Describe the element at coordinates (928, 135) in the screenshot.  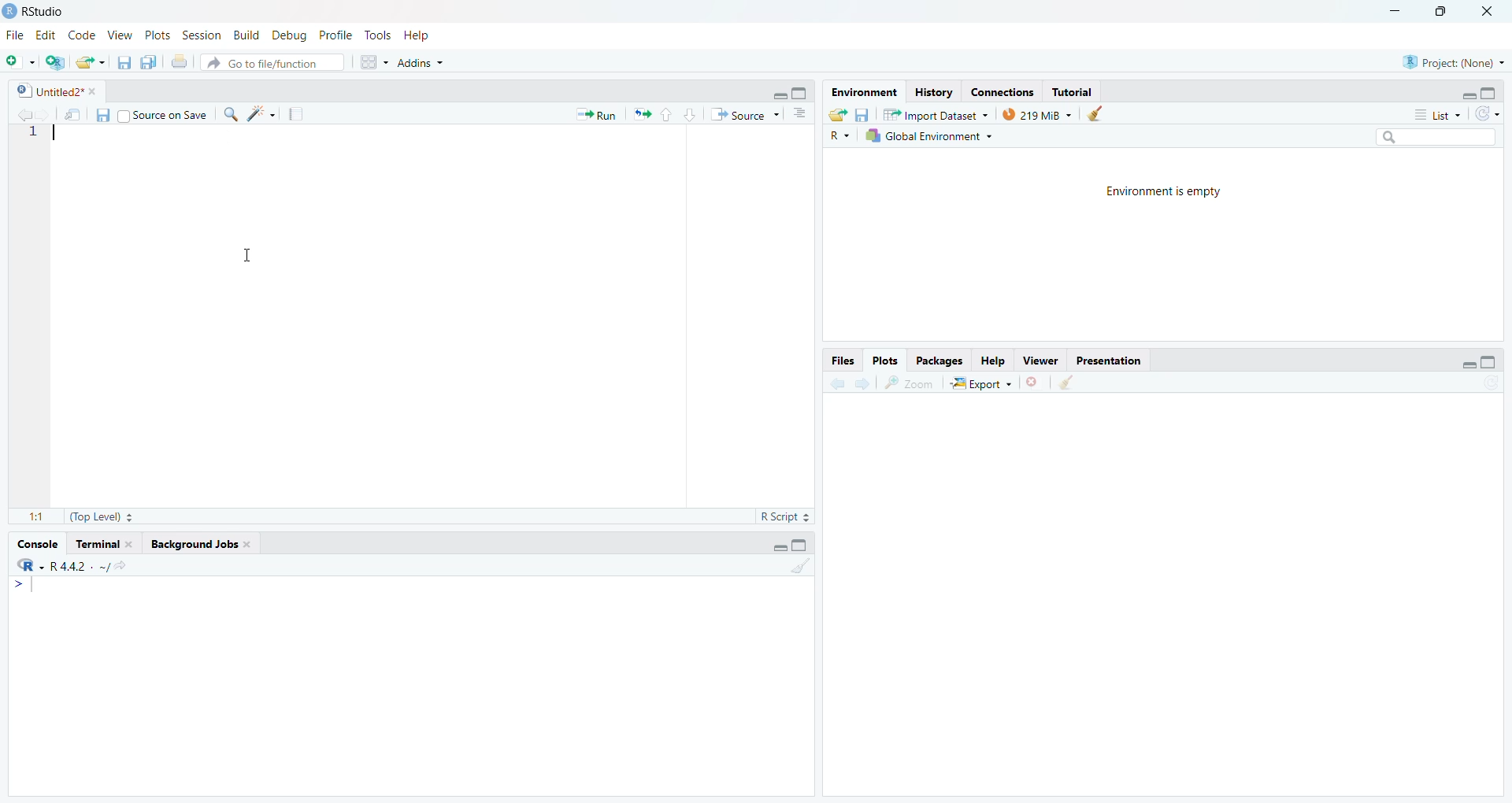
I see `Global Environment` at that location.